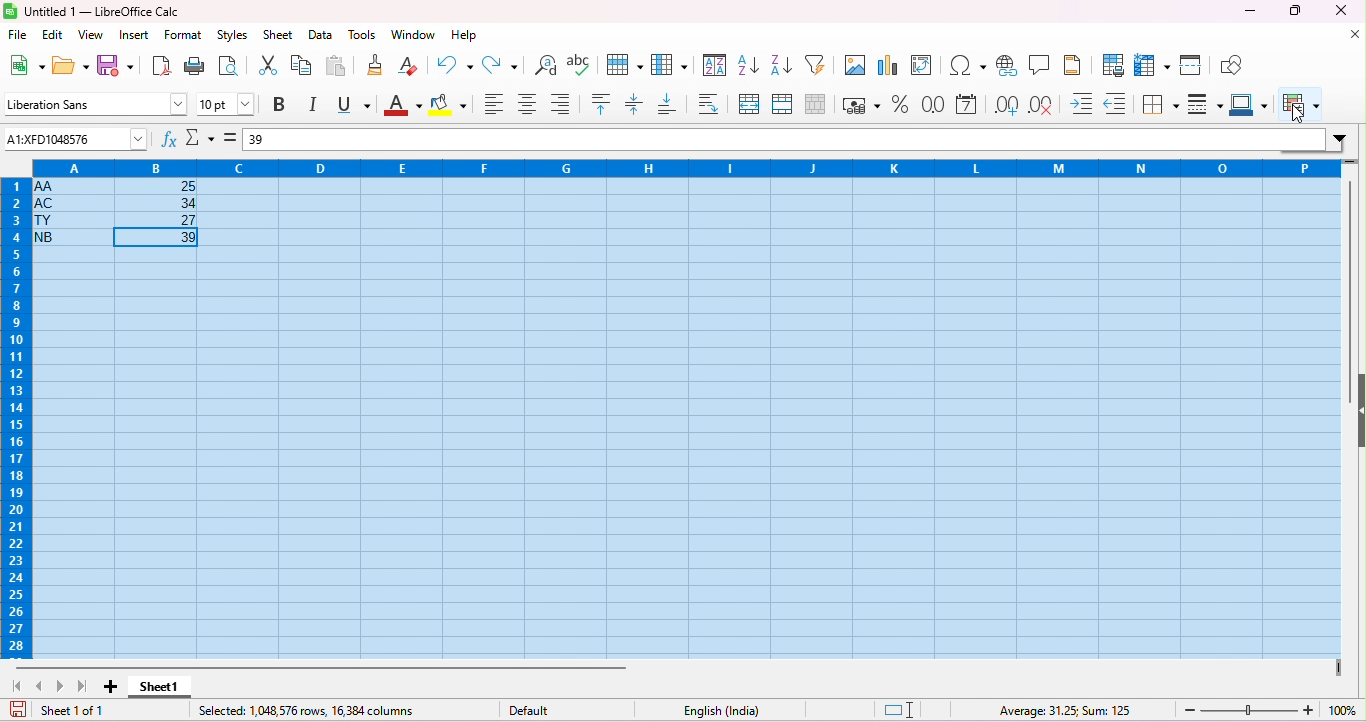 The image size is (1366, 722). What do you see at coordinates (1272, 709) in the screenshot?
I see `zoom` at bounding box center [1272, 709].